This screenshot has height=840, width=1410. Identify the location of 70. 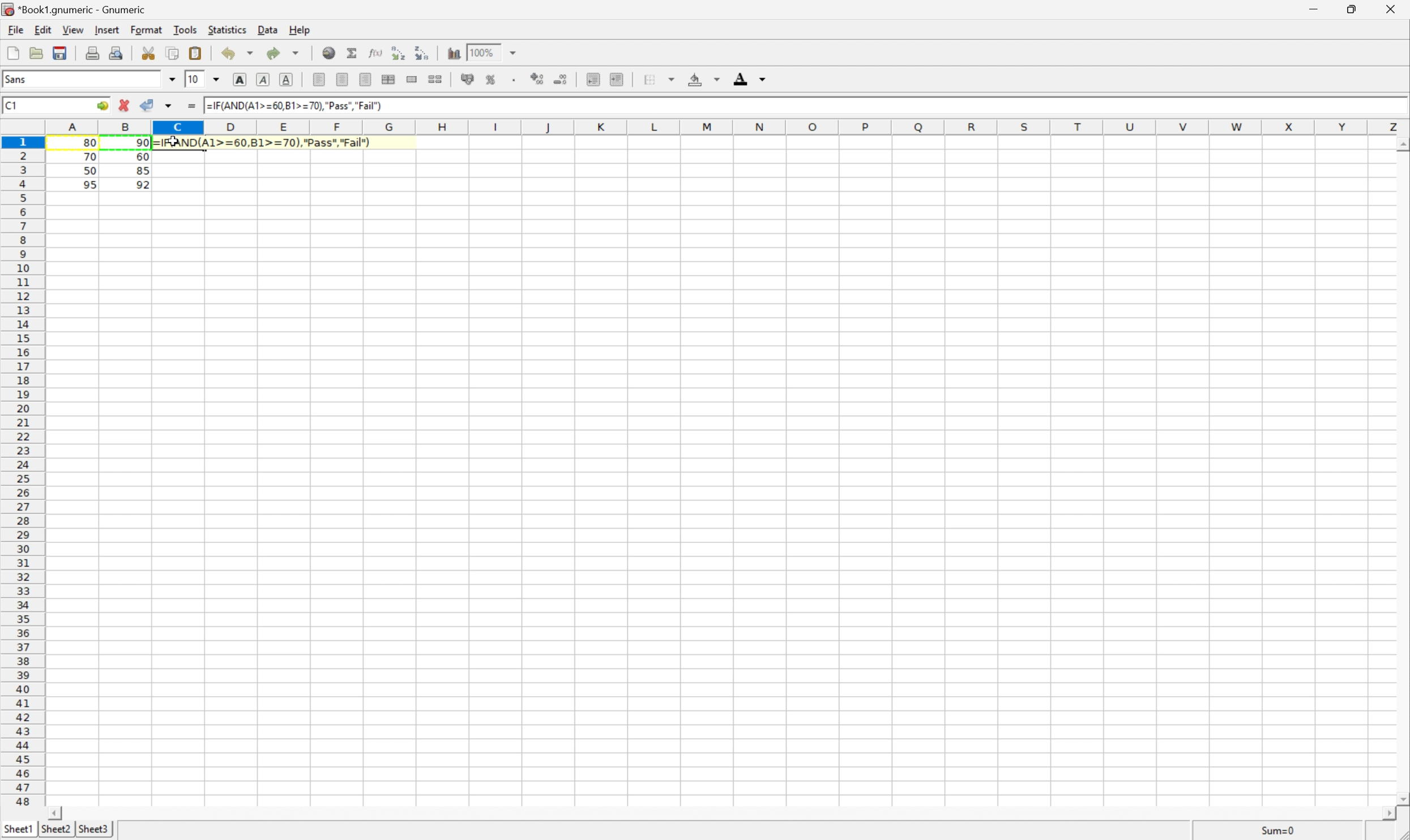
(91, 158).